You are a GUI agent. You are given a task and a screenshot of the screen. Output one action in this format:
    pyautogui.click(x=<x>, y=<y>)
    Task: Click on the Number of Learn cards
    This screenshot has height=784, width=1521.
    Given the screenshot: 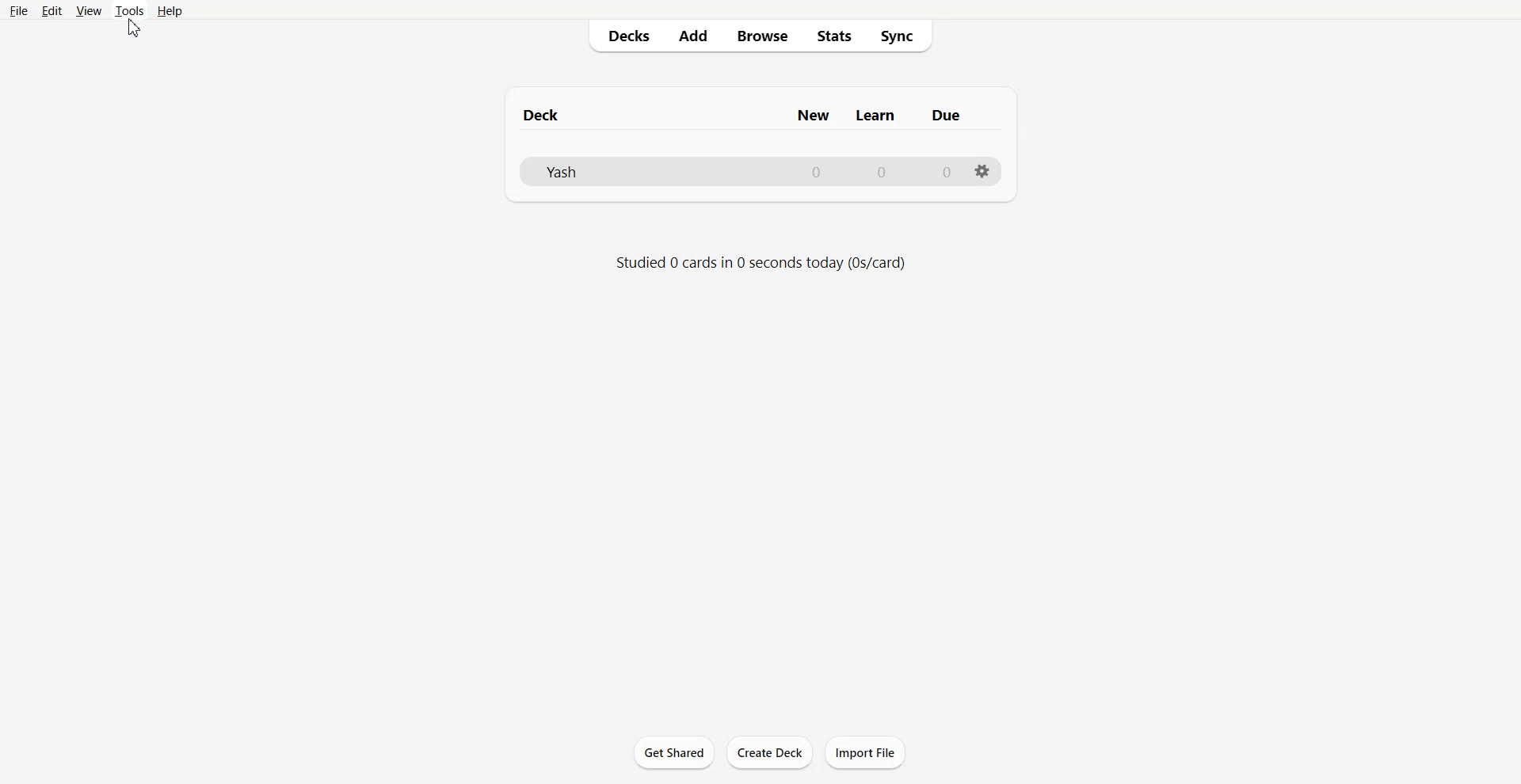 What is the action you would take?
    pyautogui.click(x=882, y=171)
    